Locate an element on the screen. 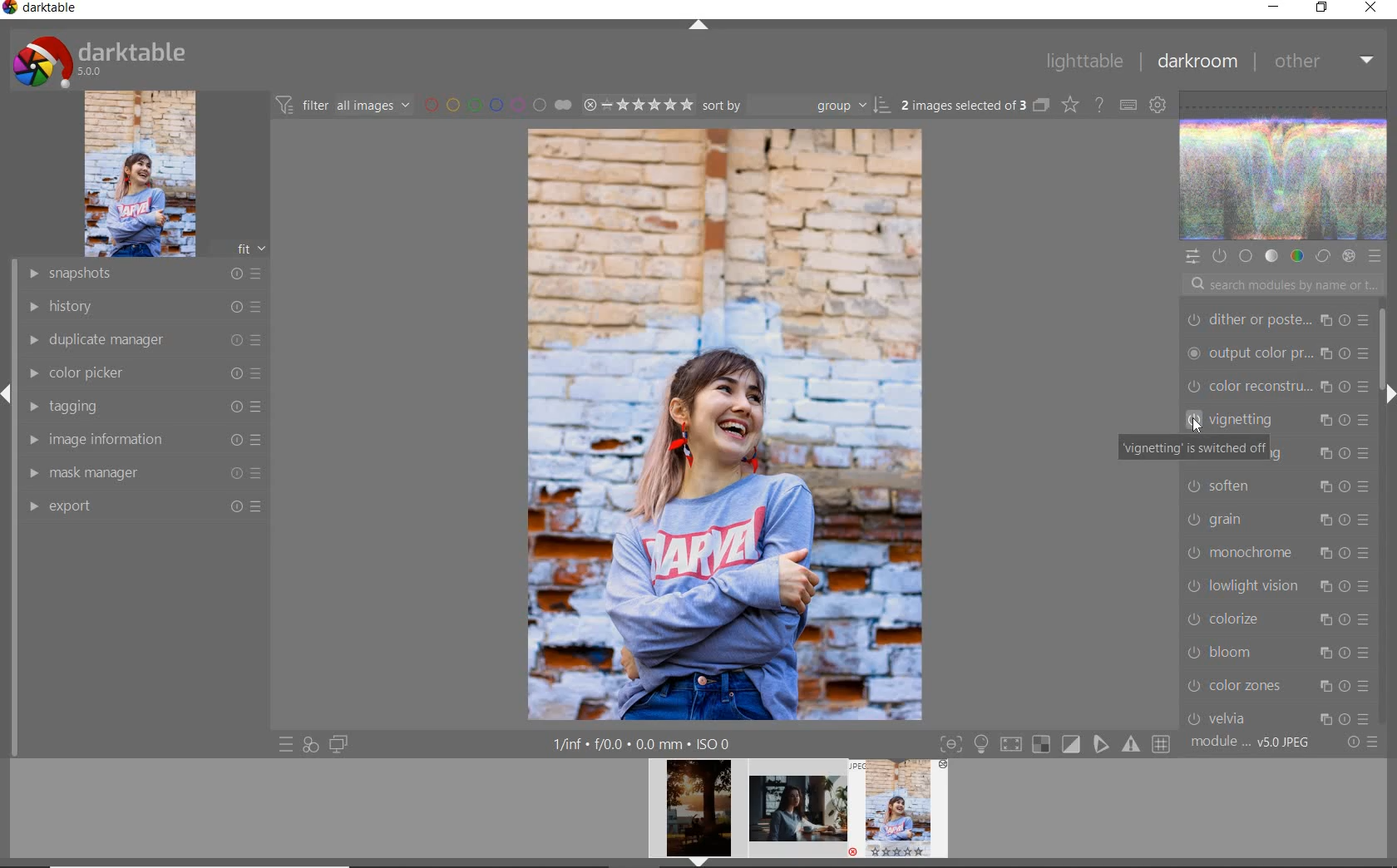 The width and height of the screenshot is (1397, 868). history is located at coordinates (144, 305).